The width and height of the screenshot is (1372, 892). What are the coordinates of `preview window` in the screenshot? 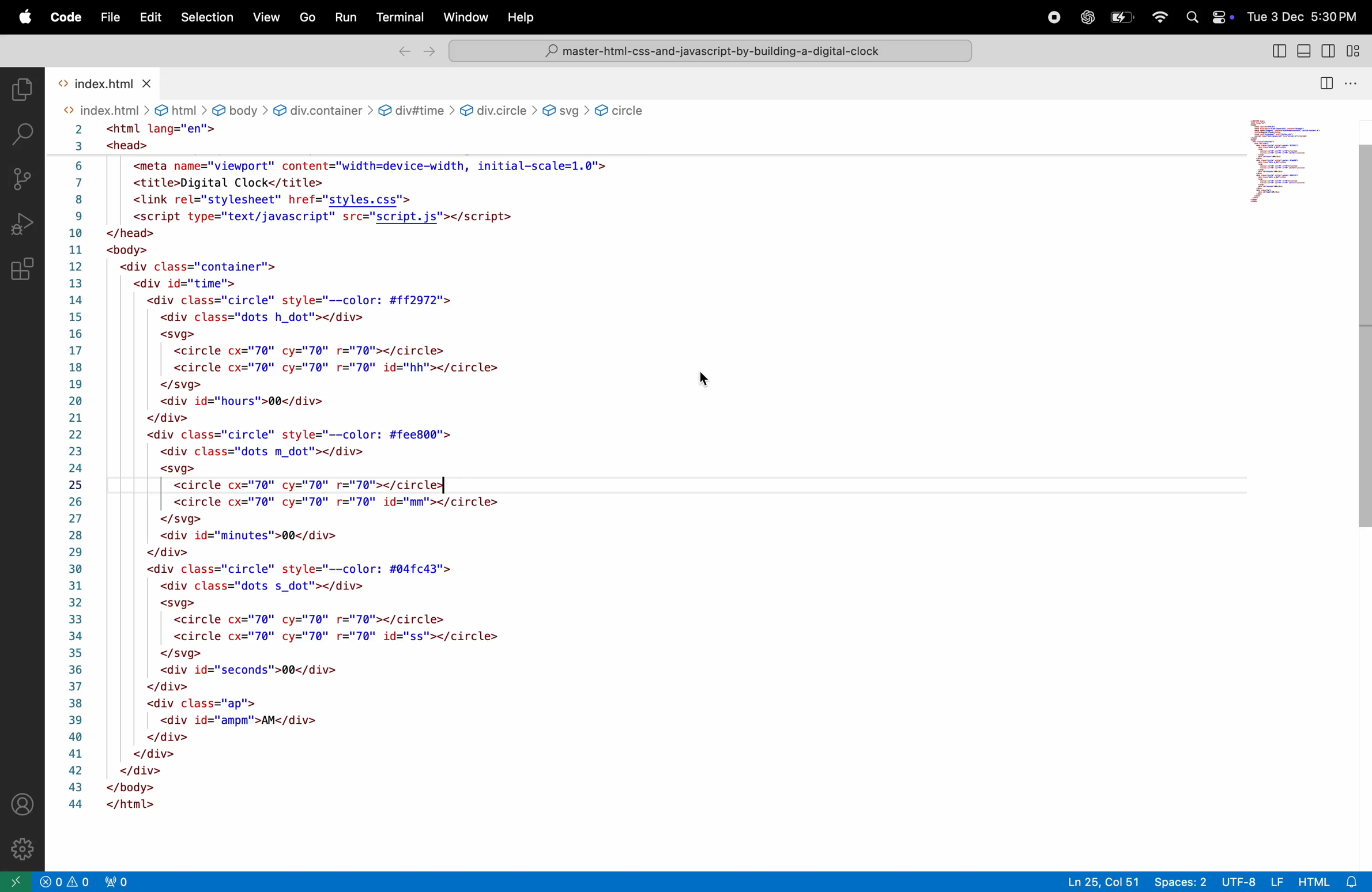 It's located at (1289, 158).